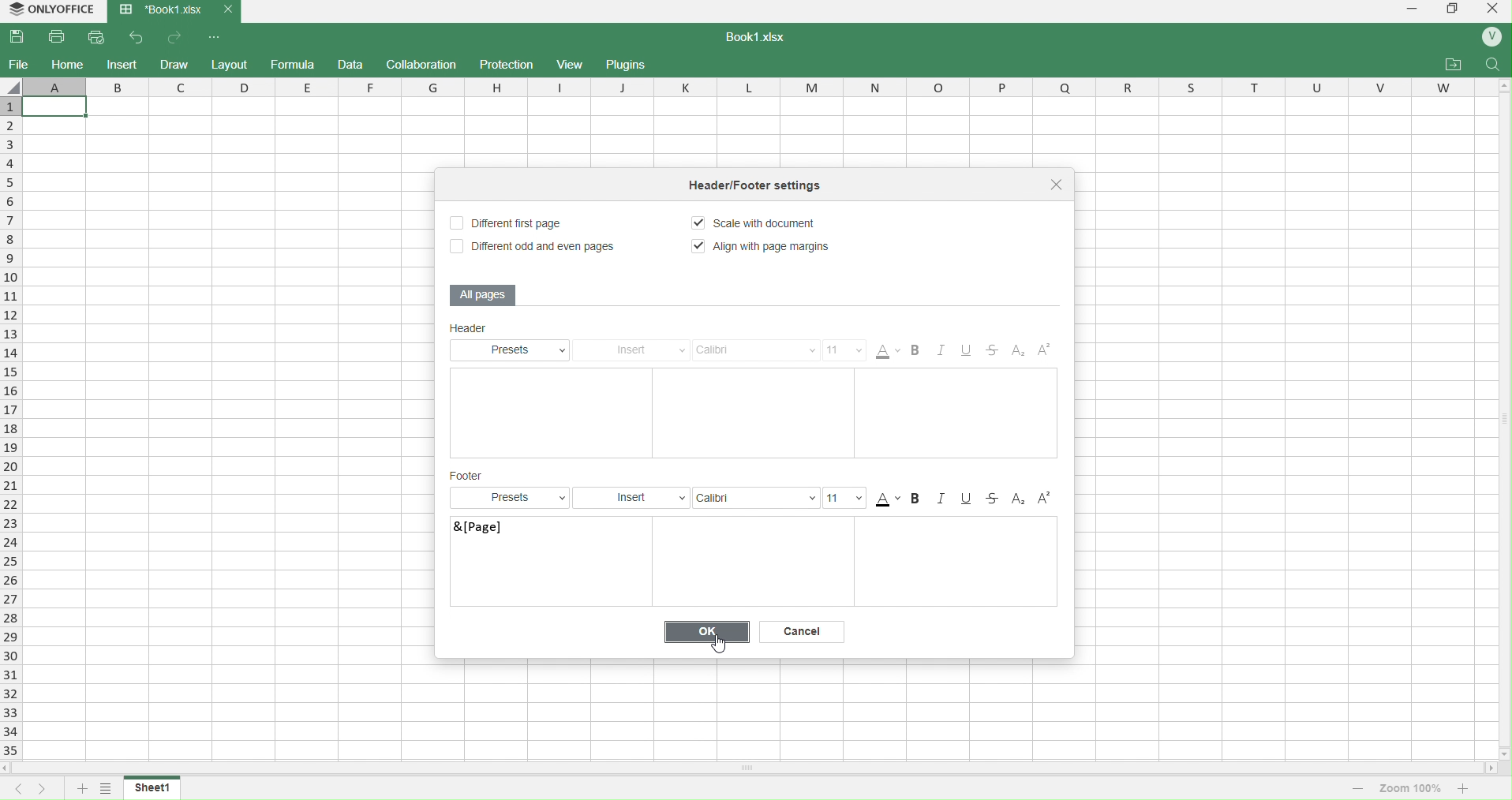 Image resolution: width=1512 pixels, height=800 pixels. Describe the element at coordinates (19, 64) in the screenshot. I see `file` at that location.